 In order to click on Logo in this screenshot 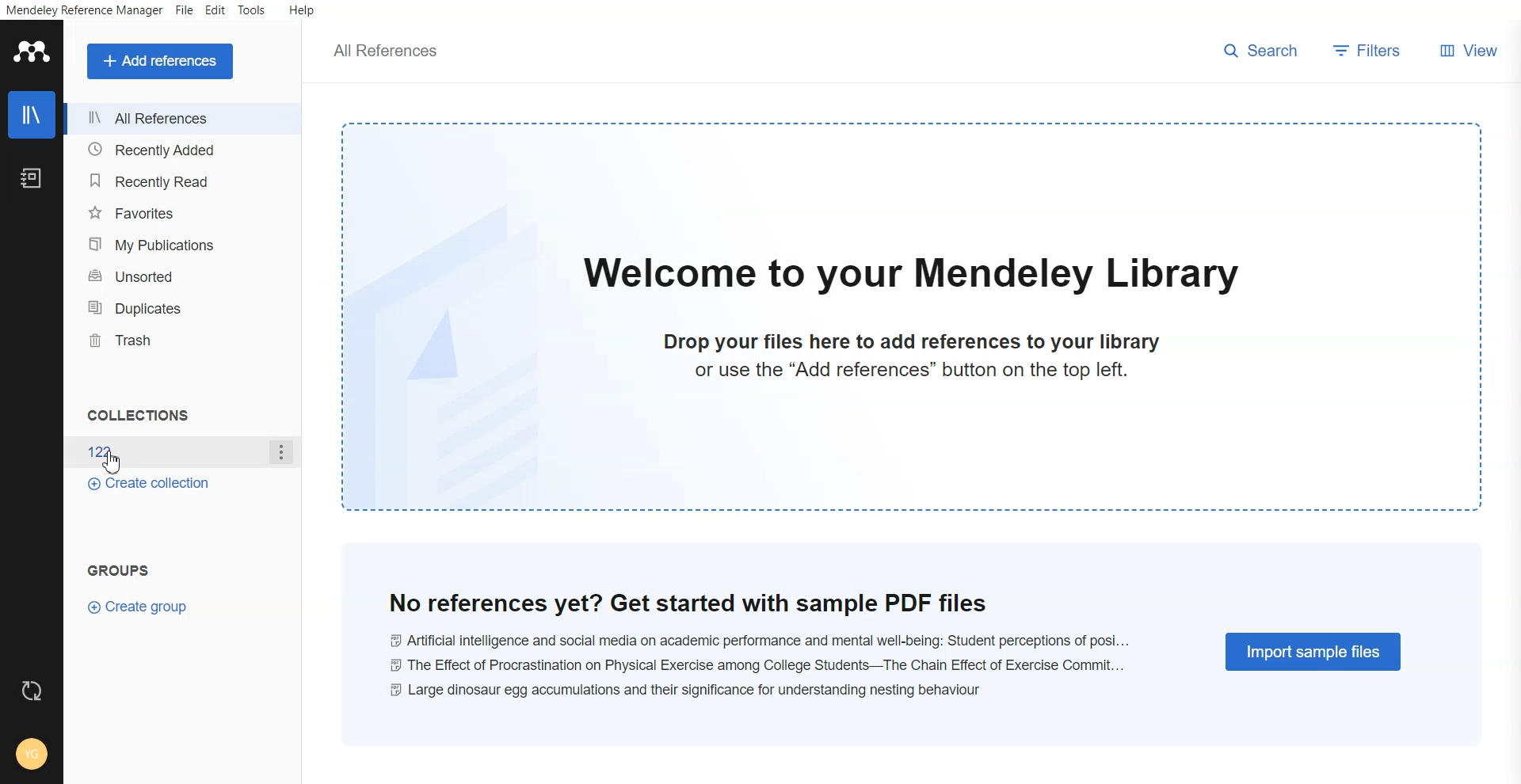, I will do `click(32, 51)`.